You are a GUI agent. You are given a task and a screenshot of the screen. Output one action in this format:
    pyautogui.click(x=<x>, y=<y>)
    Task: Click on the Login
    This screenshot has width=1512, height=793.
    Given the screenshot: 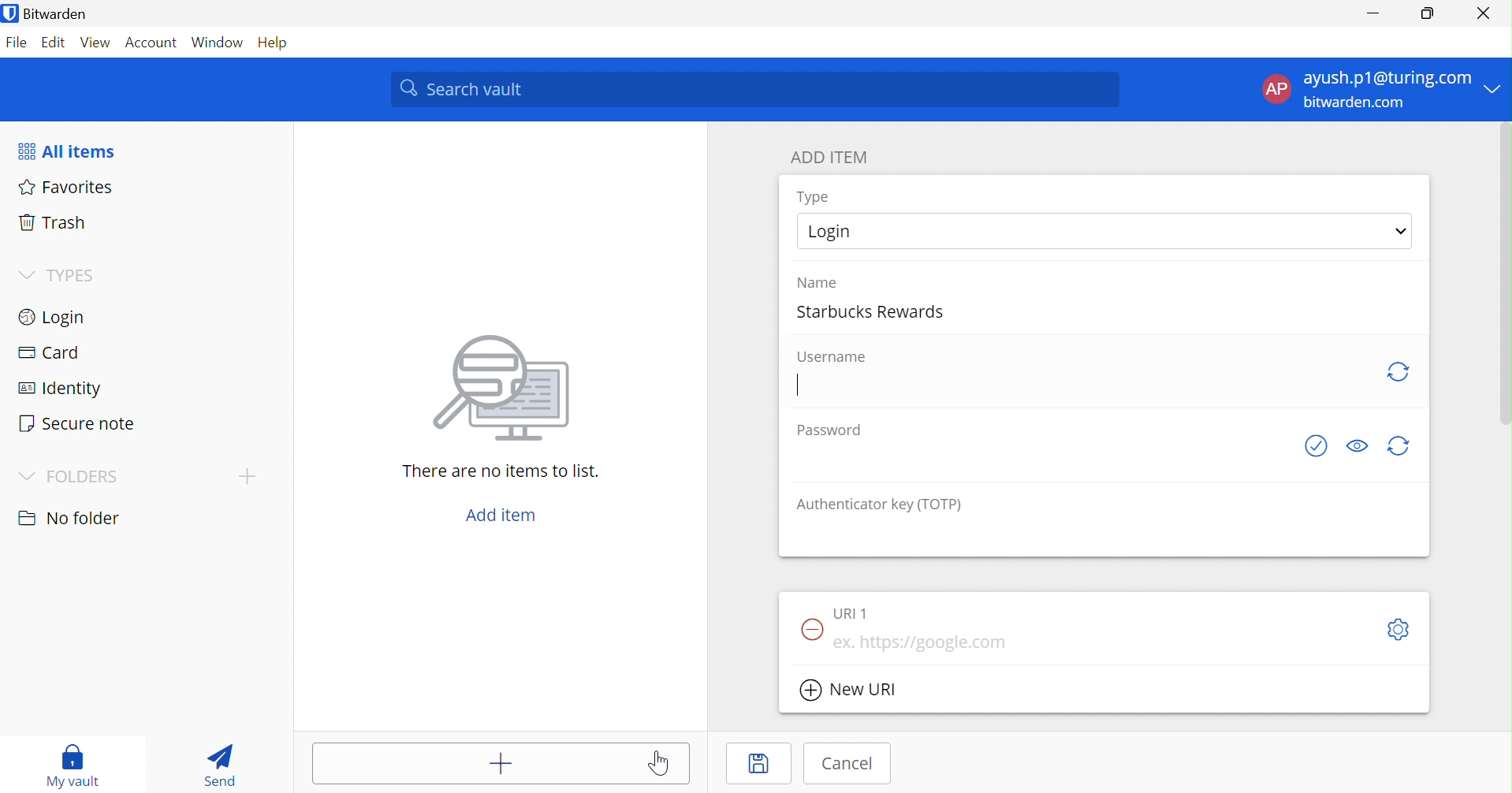 What is the action you would take?
    pyautogui.click(x=50, y=319)
    